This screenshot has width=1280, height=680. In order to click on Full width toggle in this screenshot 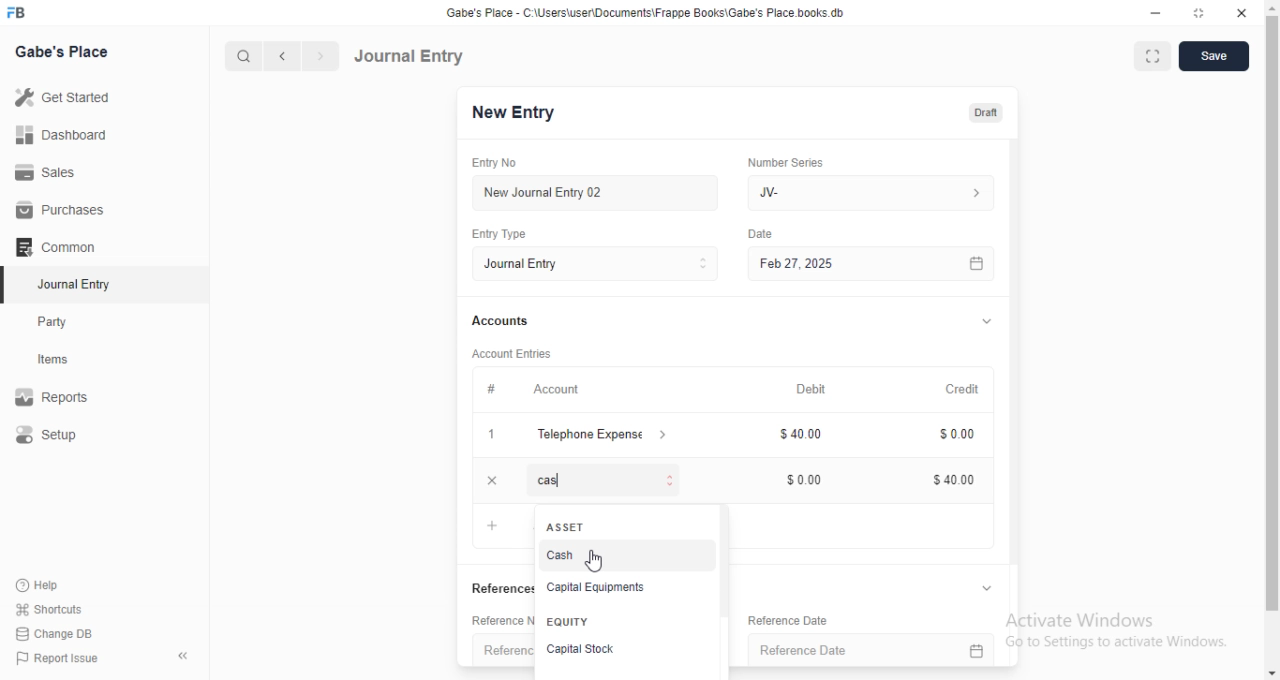, I will do `click(1151, 56)`.